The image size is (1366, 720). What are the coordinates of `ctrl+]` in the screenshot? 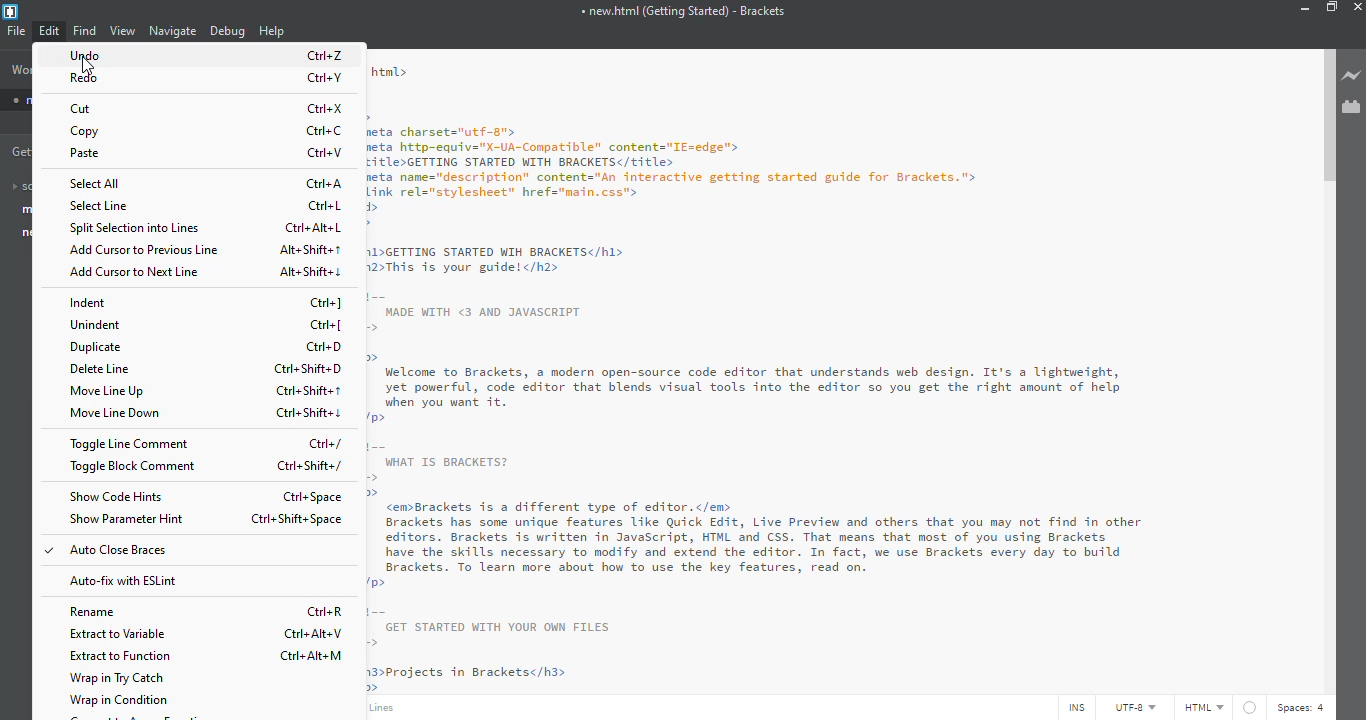 It's located at (328, 303).